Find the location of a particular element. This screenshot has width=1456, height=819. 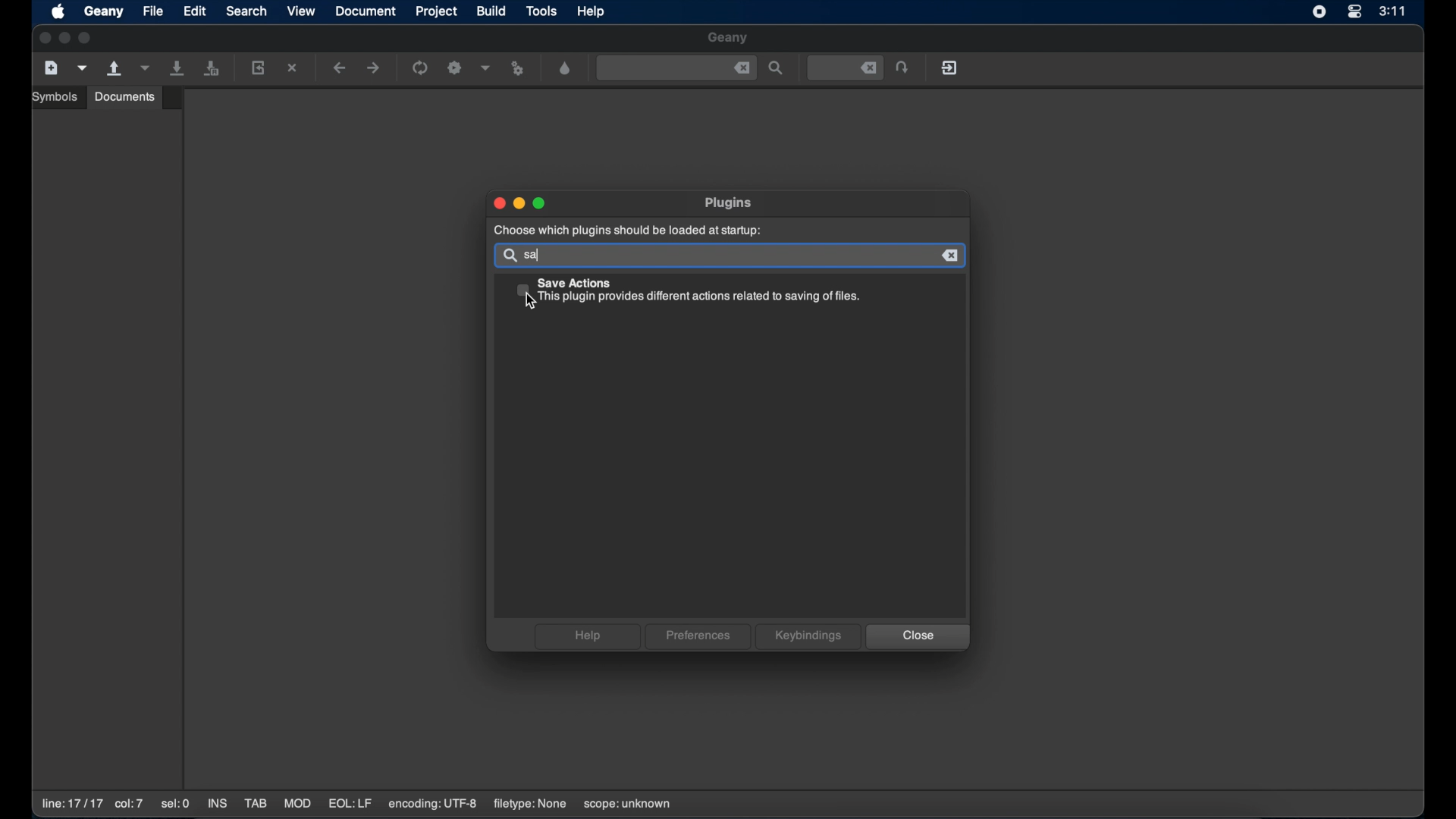

EQL:LF is located at coordinates (350, 804).